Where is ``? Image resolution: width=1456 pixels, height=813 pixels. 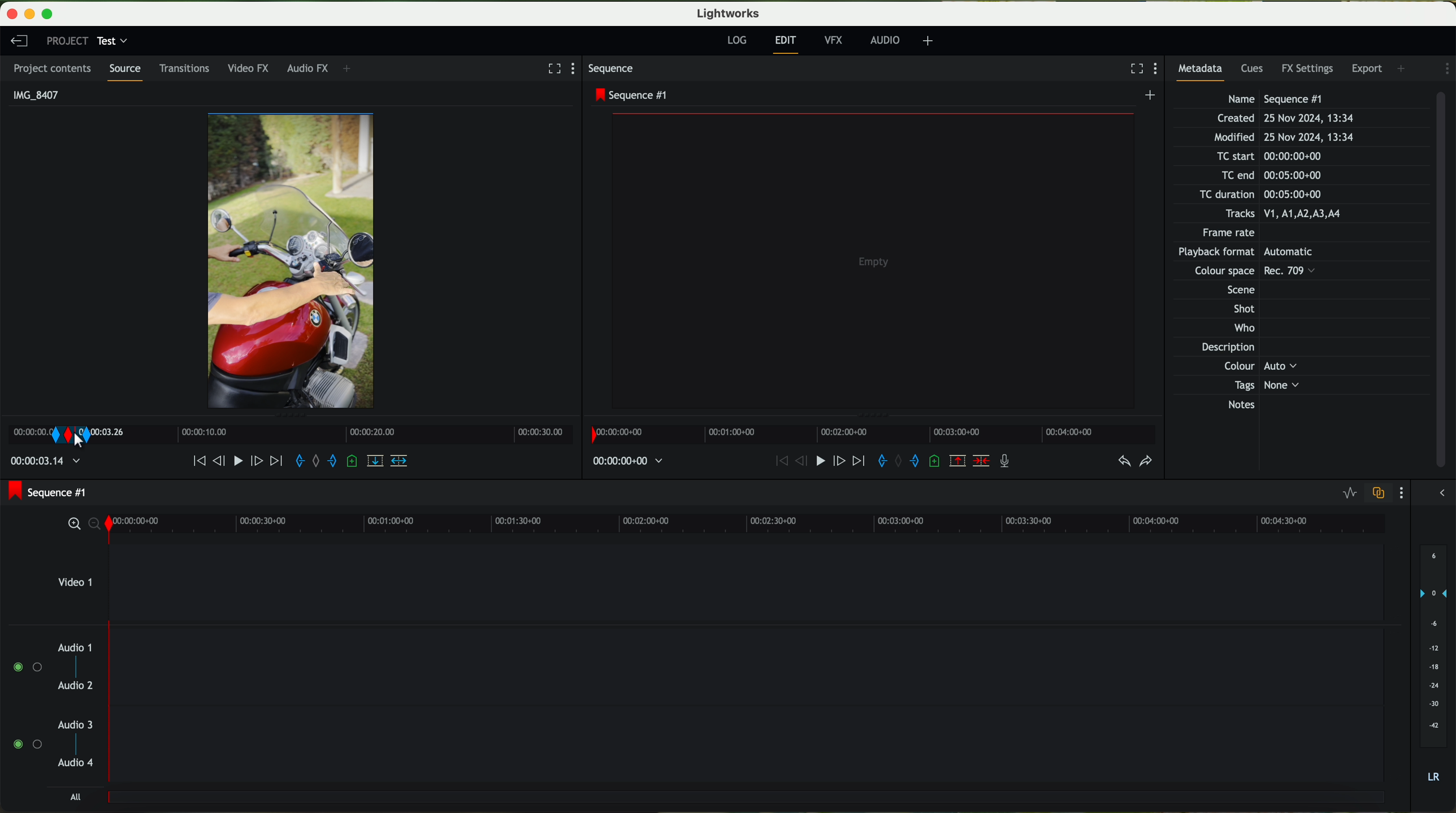  is located at coordinates (1242, 273).